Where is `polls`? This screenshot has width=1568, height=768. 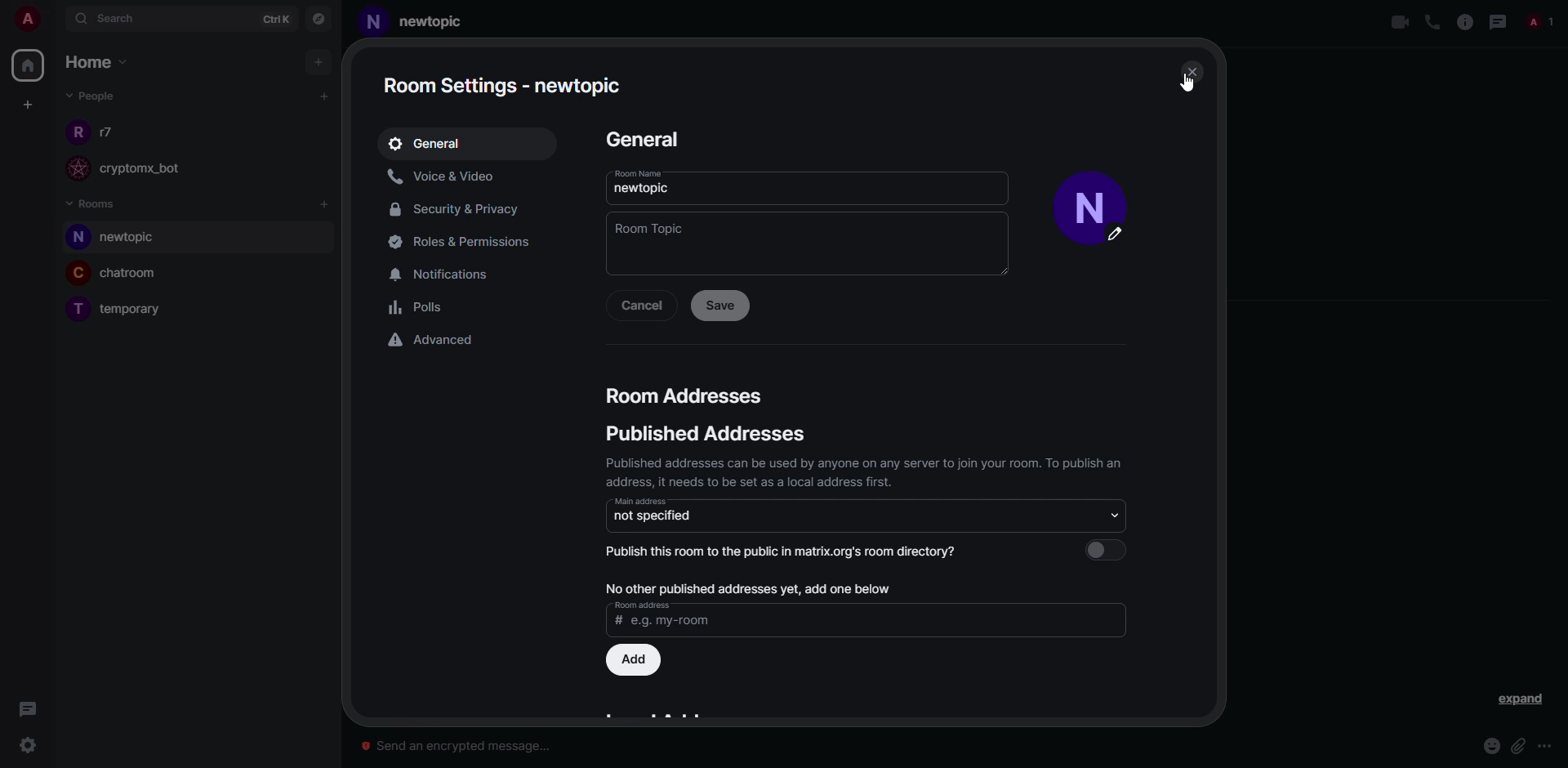 polls is located at coordinates (420, 310).